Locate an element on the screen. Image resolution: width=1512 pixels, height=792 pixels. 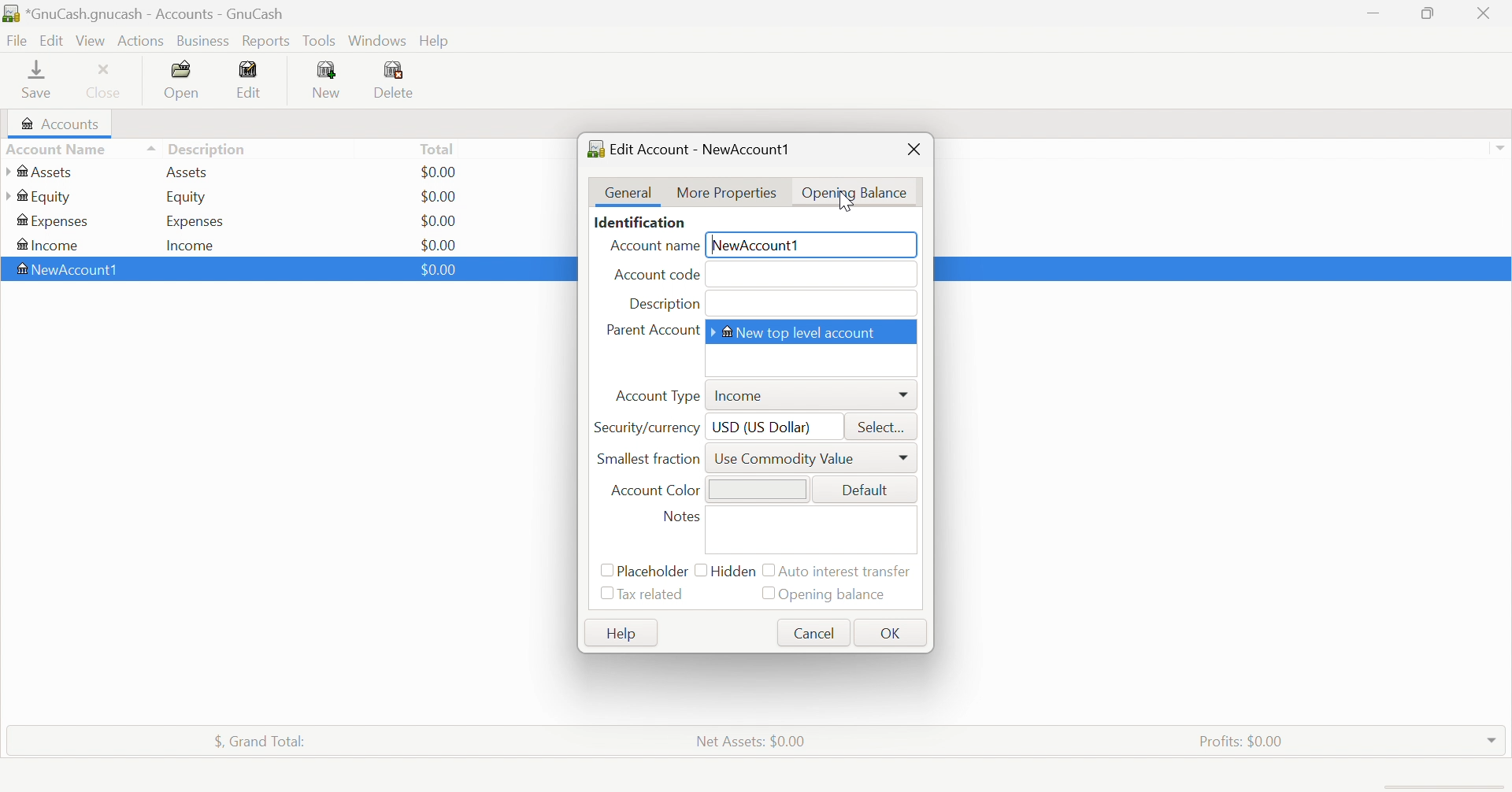
Checkbox is located at coordinates (769, 572).